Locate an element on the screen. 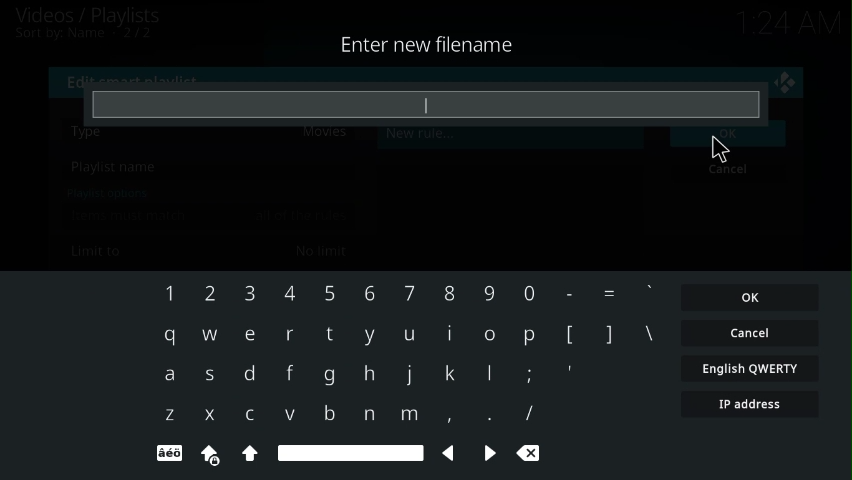 The width and height of the screenshot is (852, 480). i is located at coordinates (449, 332).